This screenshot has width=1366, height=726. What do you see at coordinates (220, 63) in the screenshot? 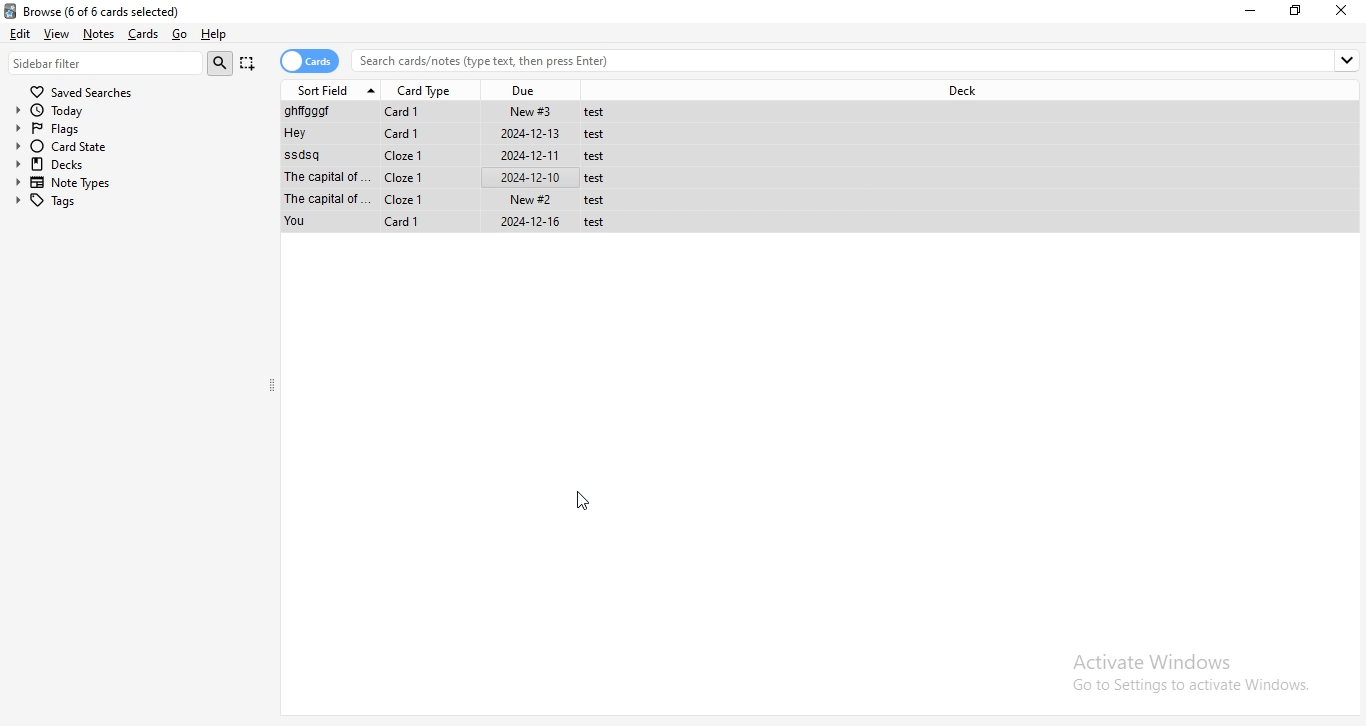
I see `search` at bounding box center [220, 63].